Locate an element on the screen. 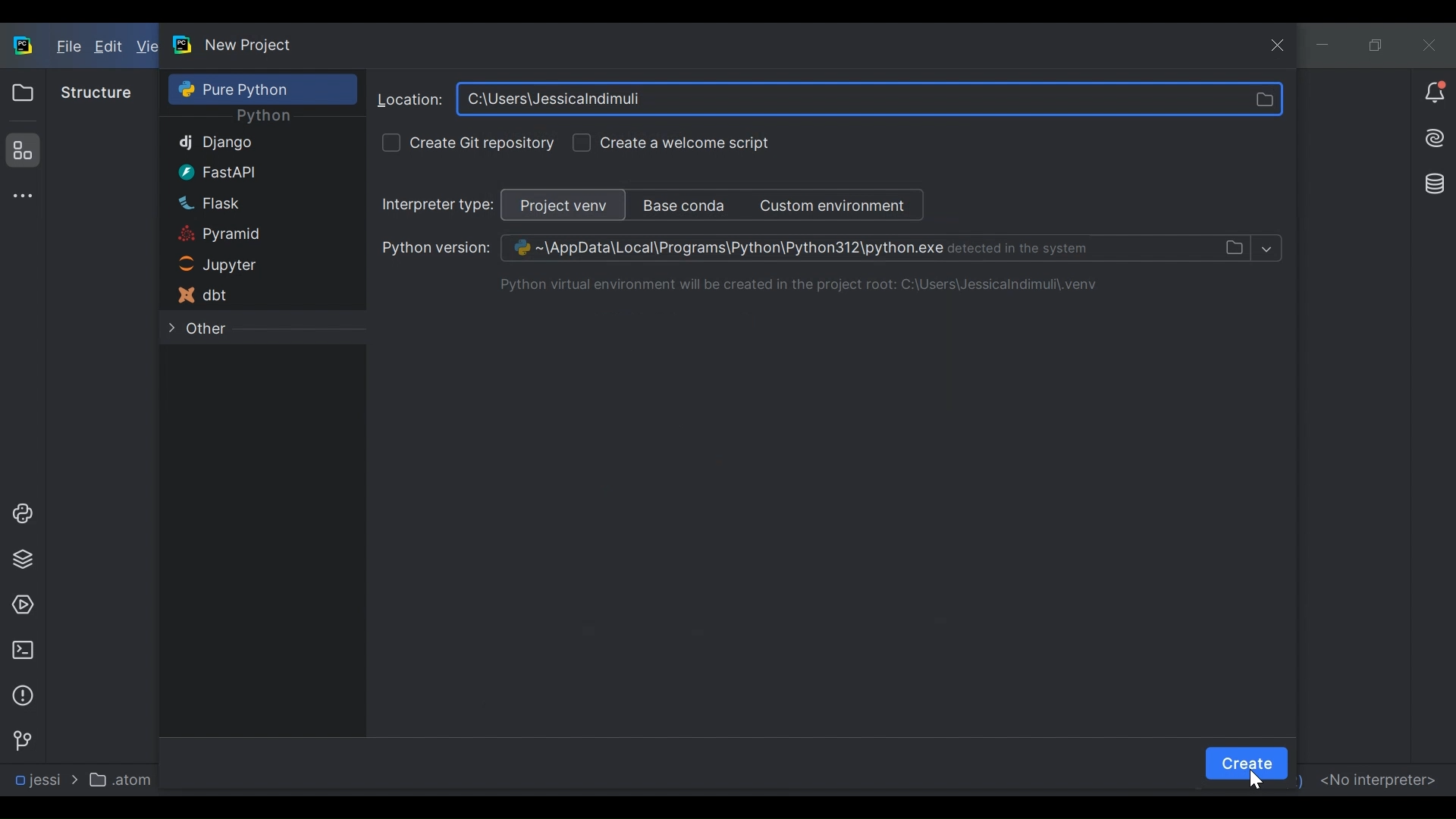 This screenshot has width=1456, height=819. Close is located at coordinates (1429, 44).